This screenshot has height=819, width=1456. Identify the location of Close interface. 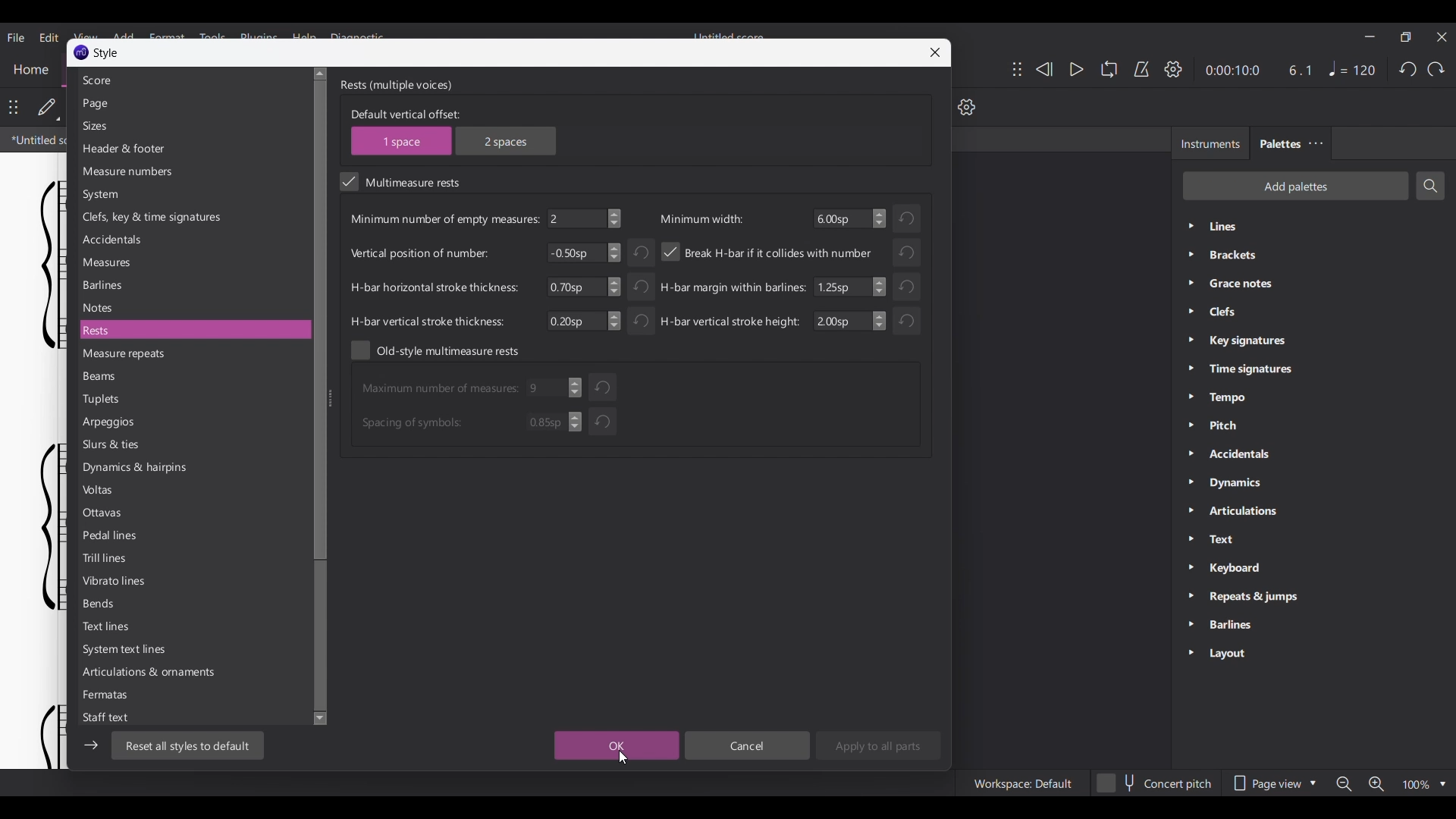
(1442, 37).